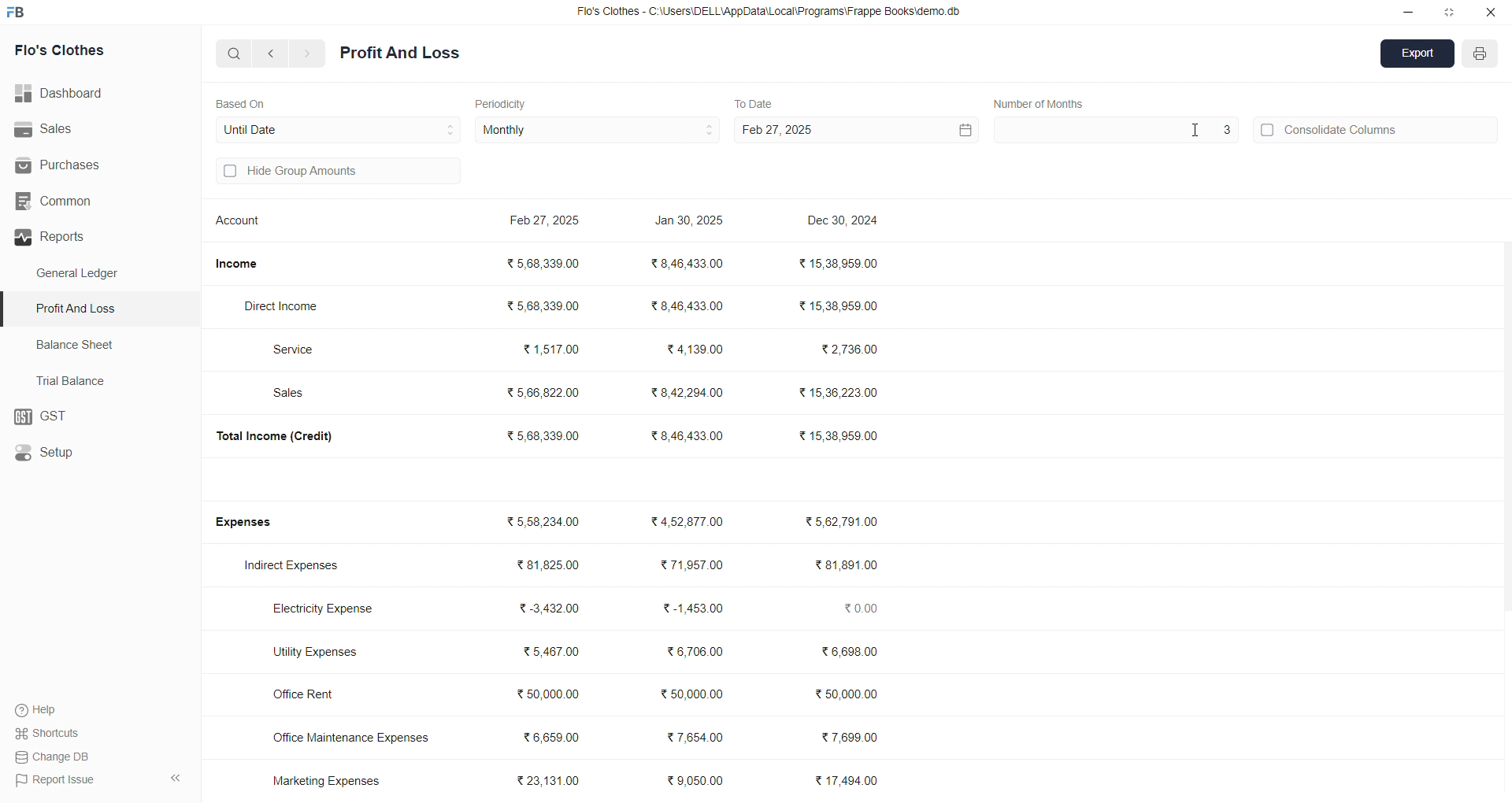 The image size is (1512, 803). I want to click on Setup, so click(91, 453).